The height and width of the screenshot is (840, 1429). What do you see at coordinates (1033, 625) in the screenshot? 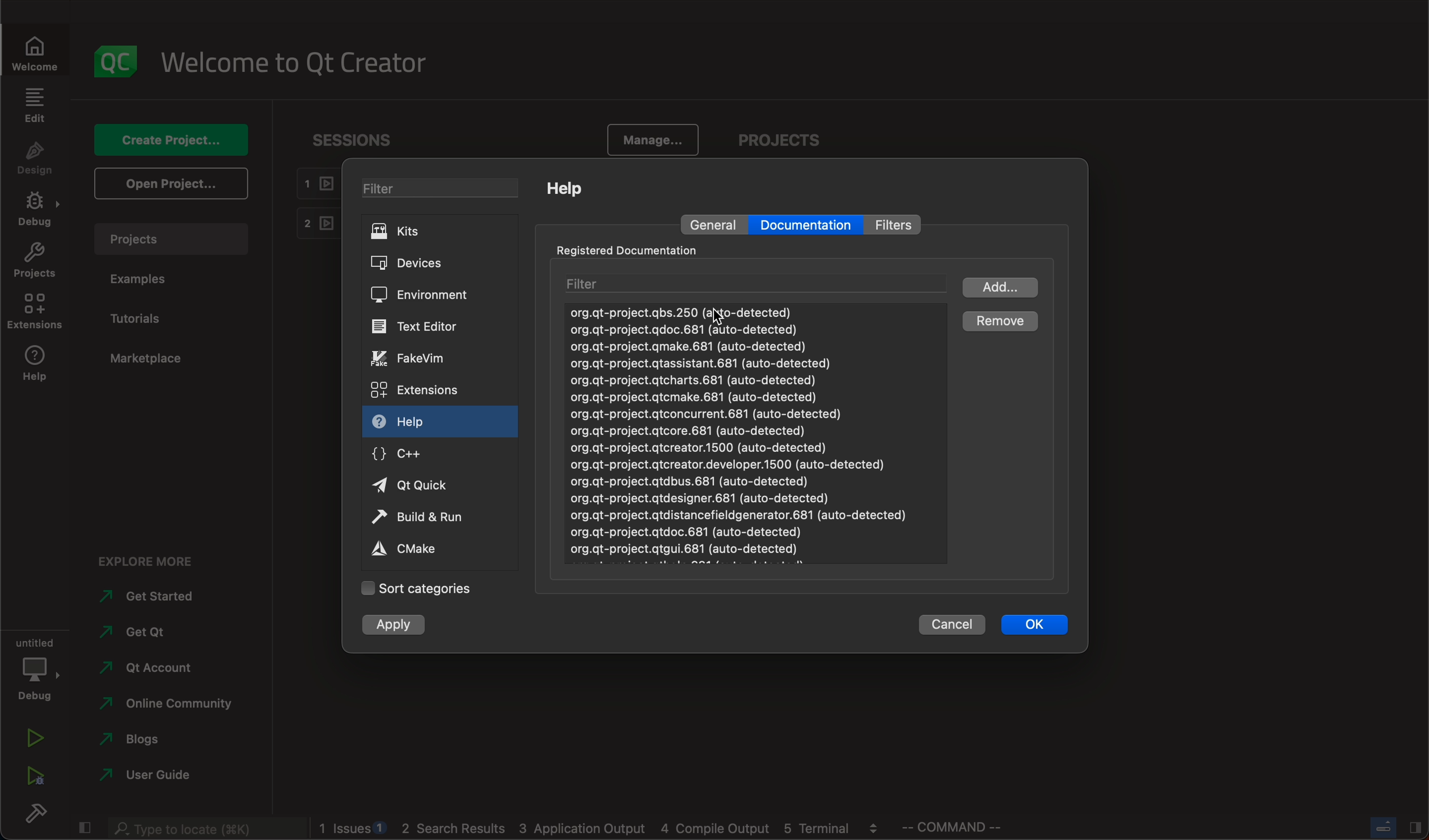
I see `ok` at bounding box center [1033, 625].